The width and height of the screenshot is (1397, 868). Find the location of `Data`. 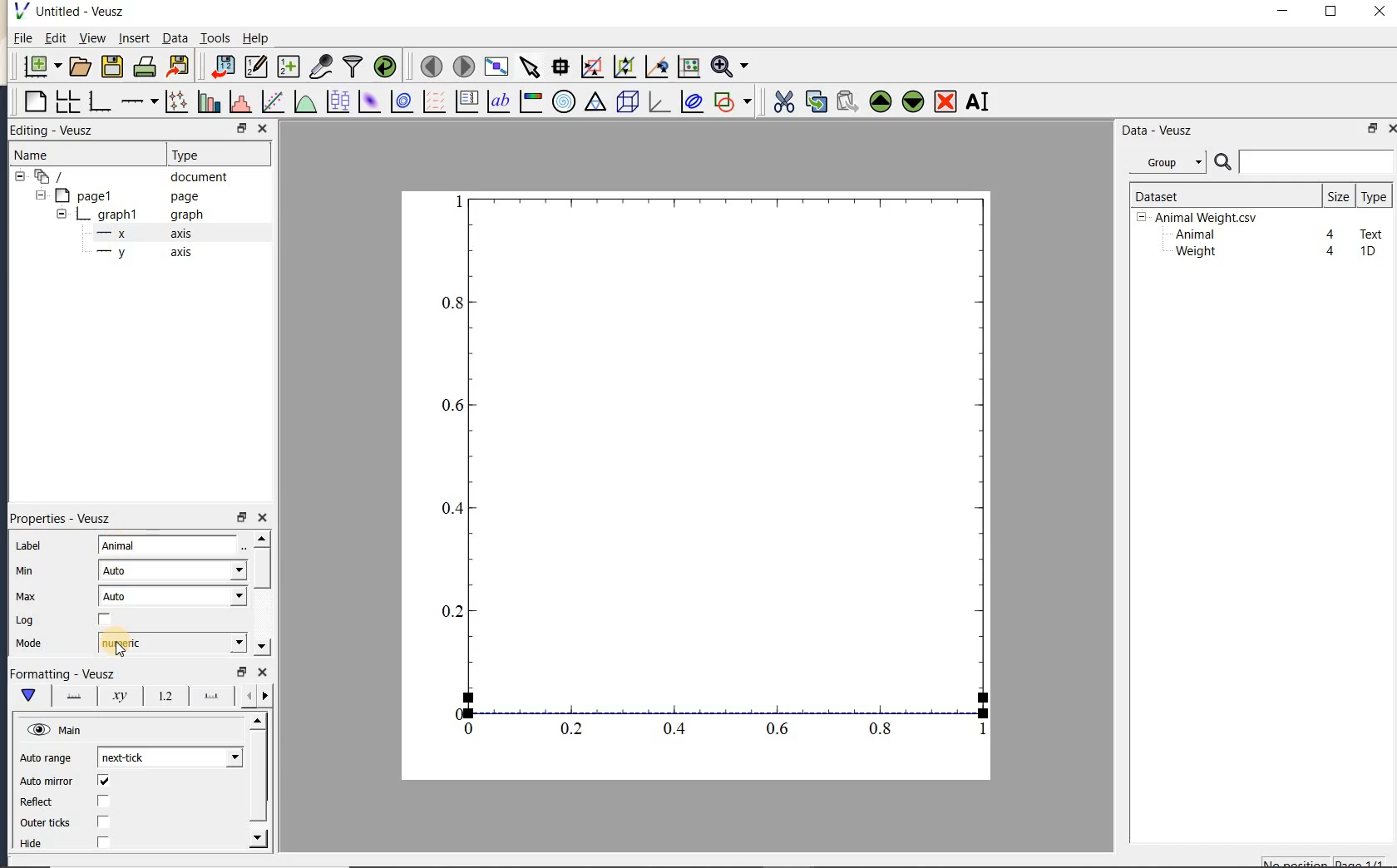

Data is located at coordinates (175, 37).